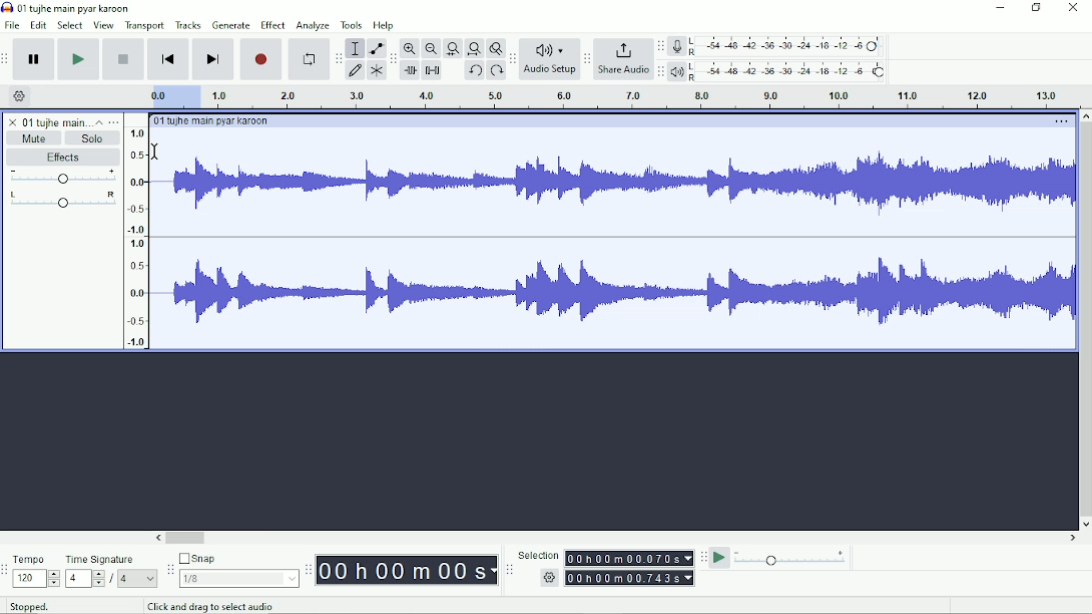 The height and width of the screenshot is (614, 1092). I want to click on Snap, so click(238, 559).